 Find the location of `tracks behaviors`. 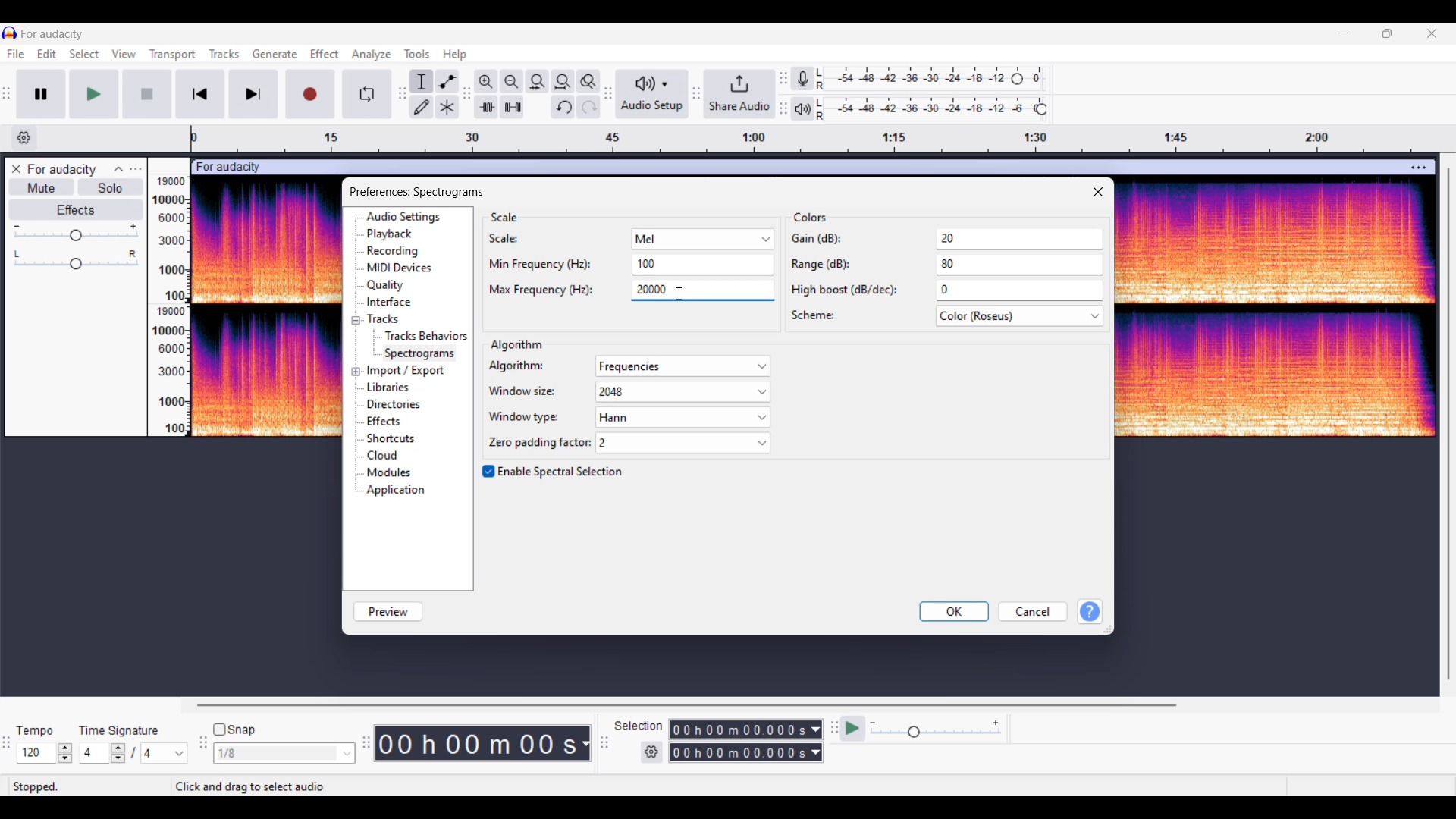

tracks behaviors is located at coordinates (424, 335).